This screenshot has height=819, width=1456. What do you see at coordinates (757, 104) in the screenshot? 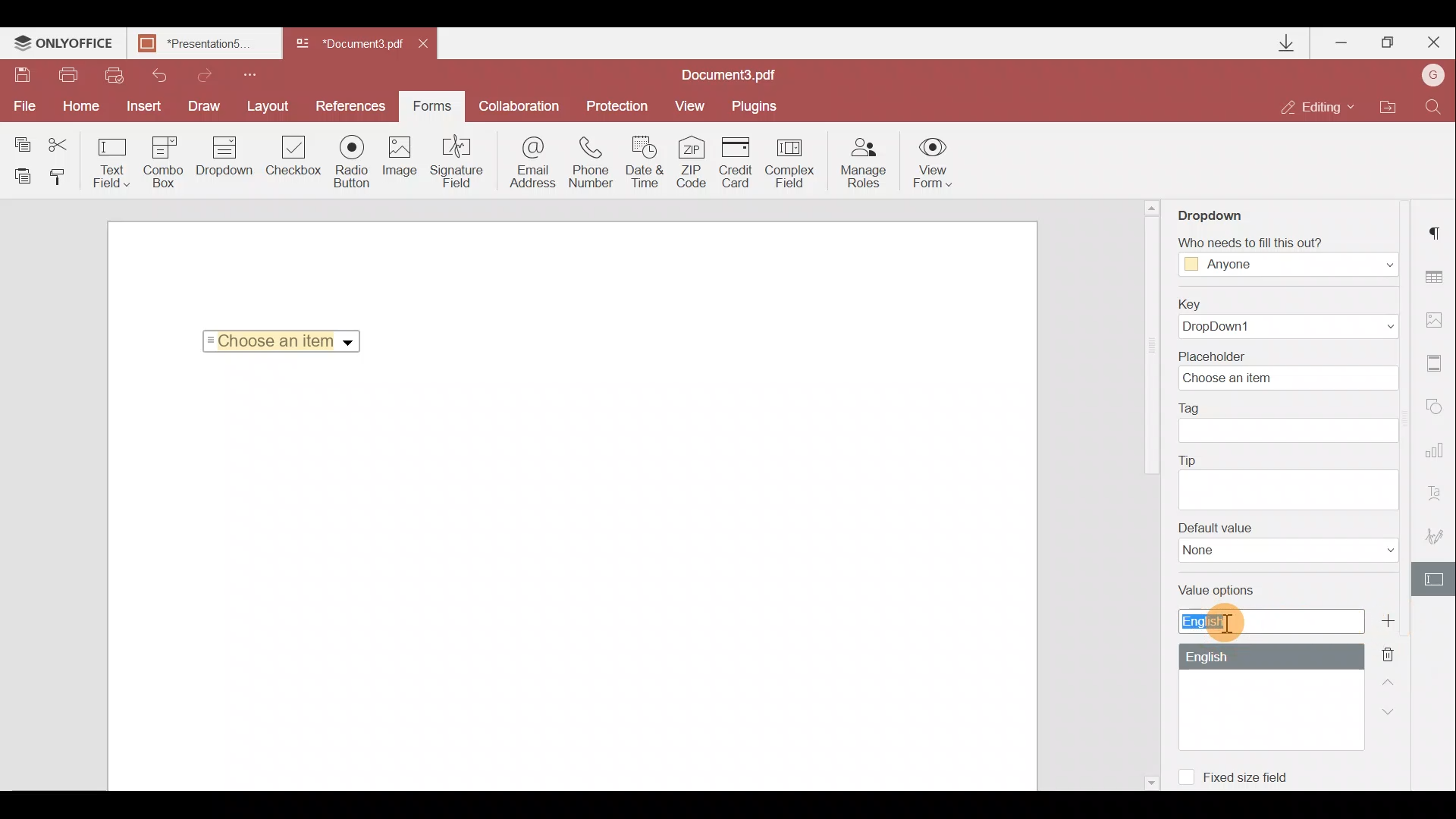
I see `Plugins` at bounding box center [757, 104].